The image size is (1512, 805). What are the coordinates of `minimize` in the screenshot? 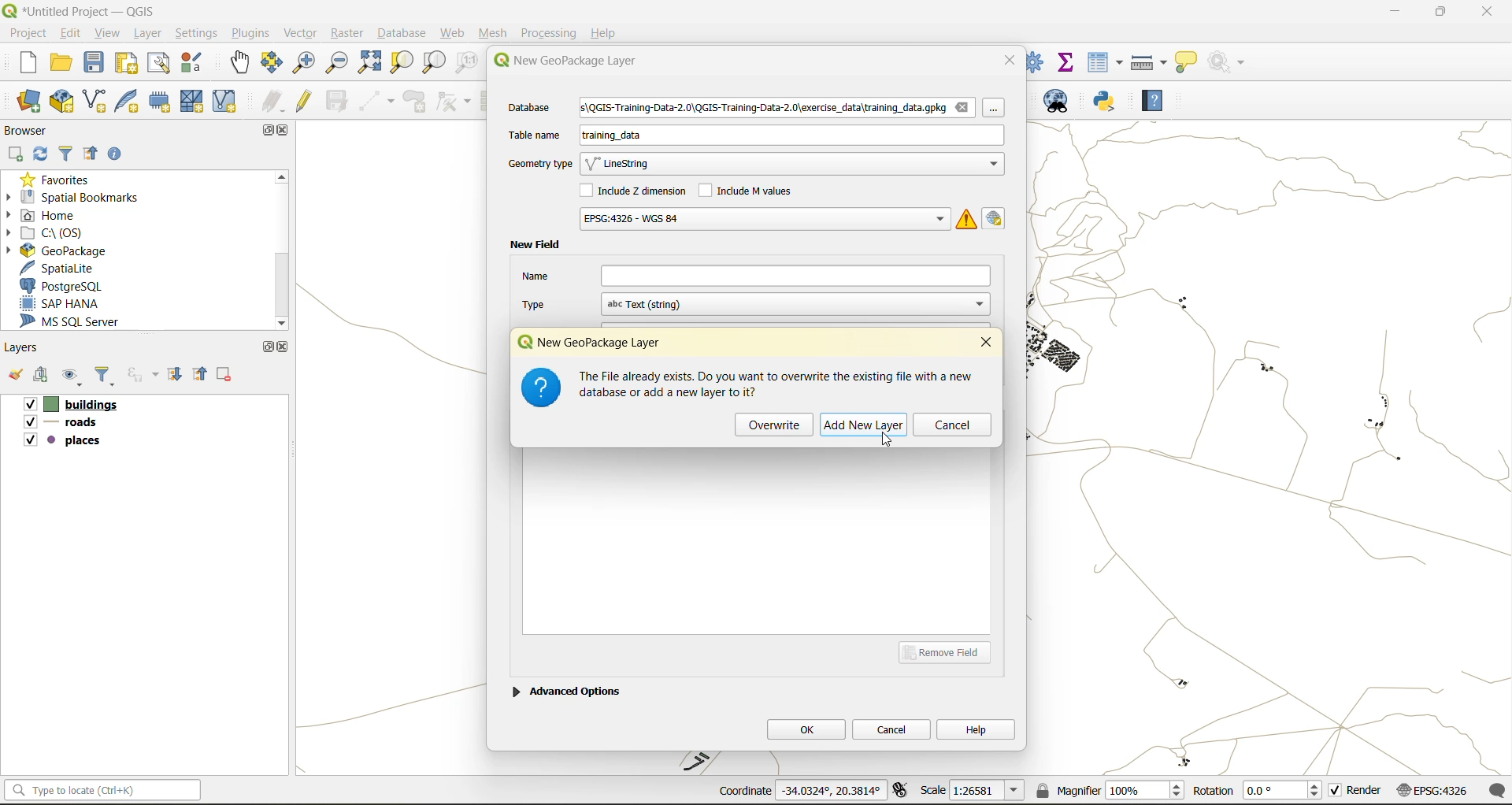 It's located at (1390, 14).